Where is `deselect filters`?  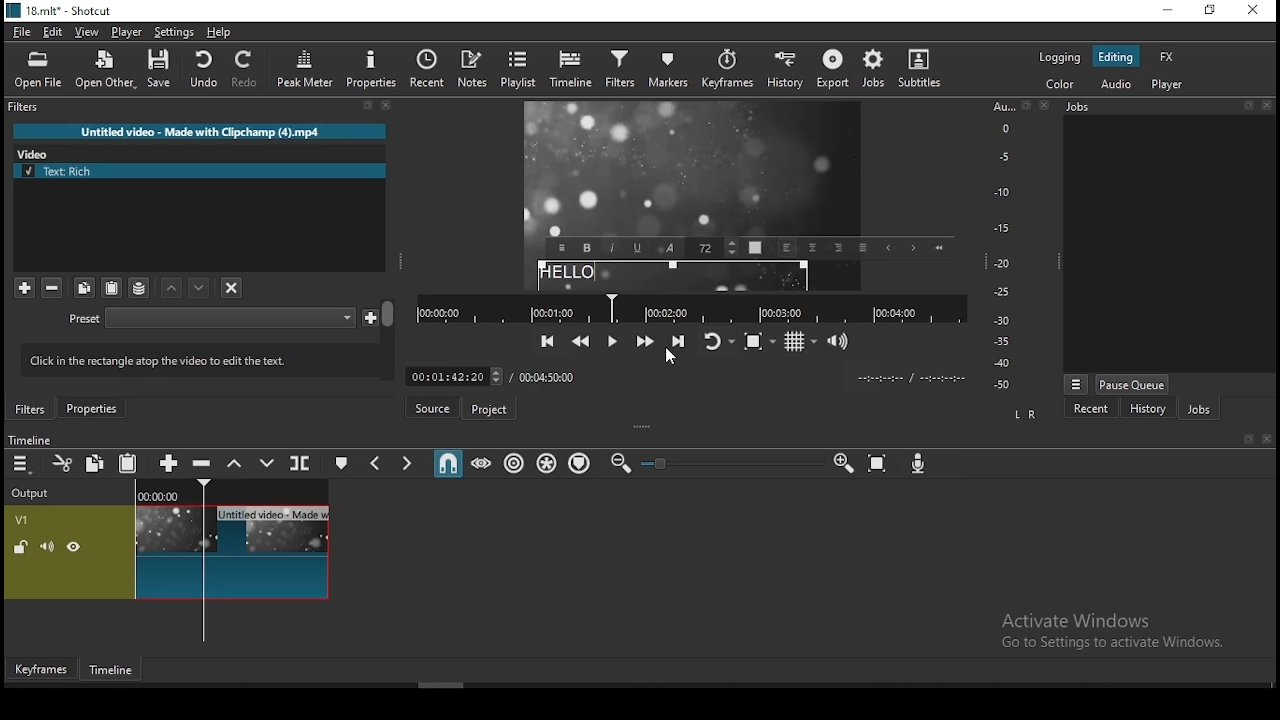 deselect filters is located at coordinates (230, 286).